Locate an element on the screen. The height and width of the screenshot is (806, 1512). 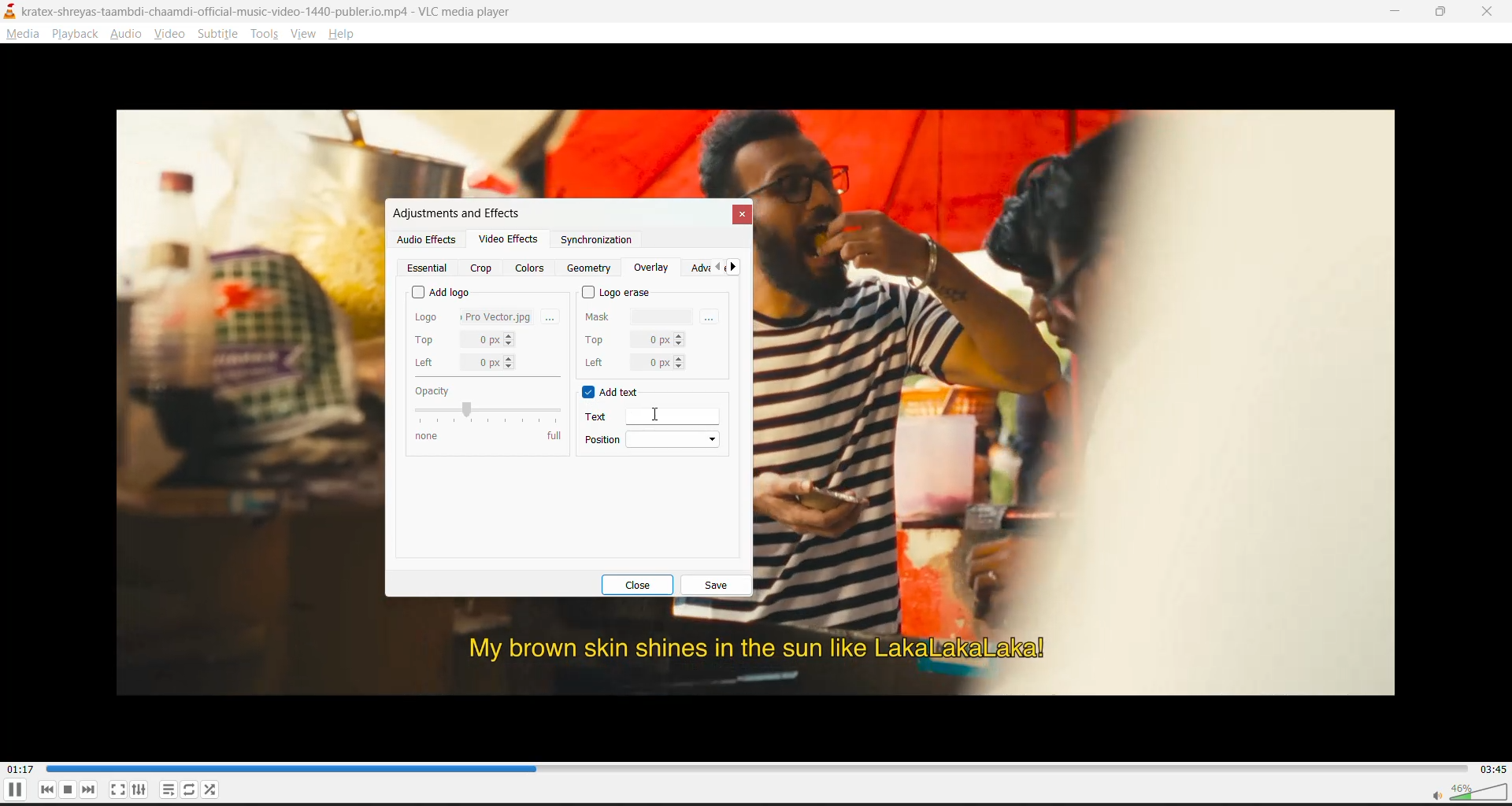
maximize is located at coordinates (1446, 13).